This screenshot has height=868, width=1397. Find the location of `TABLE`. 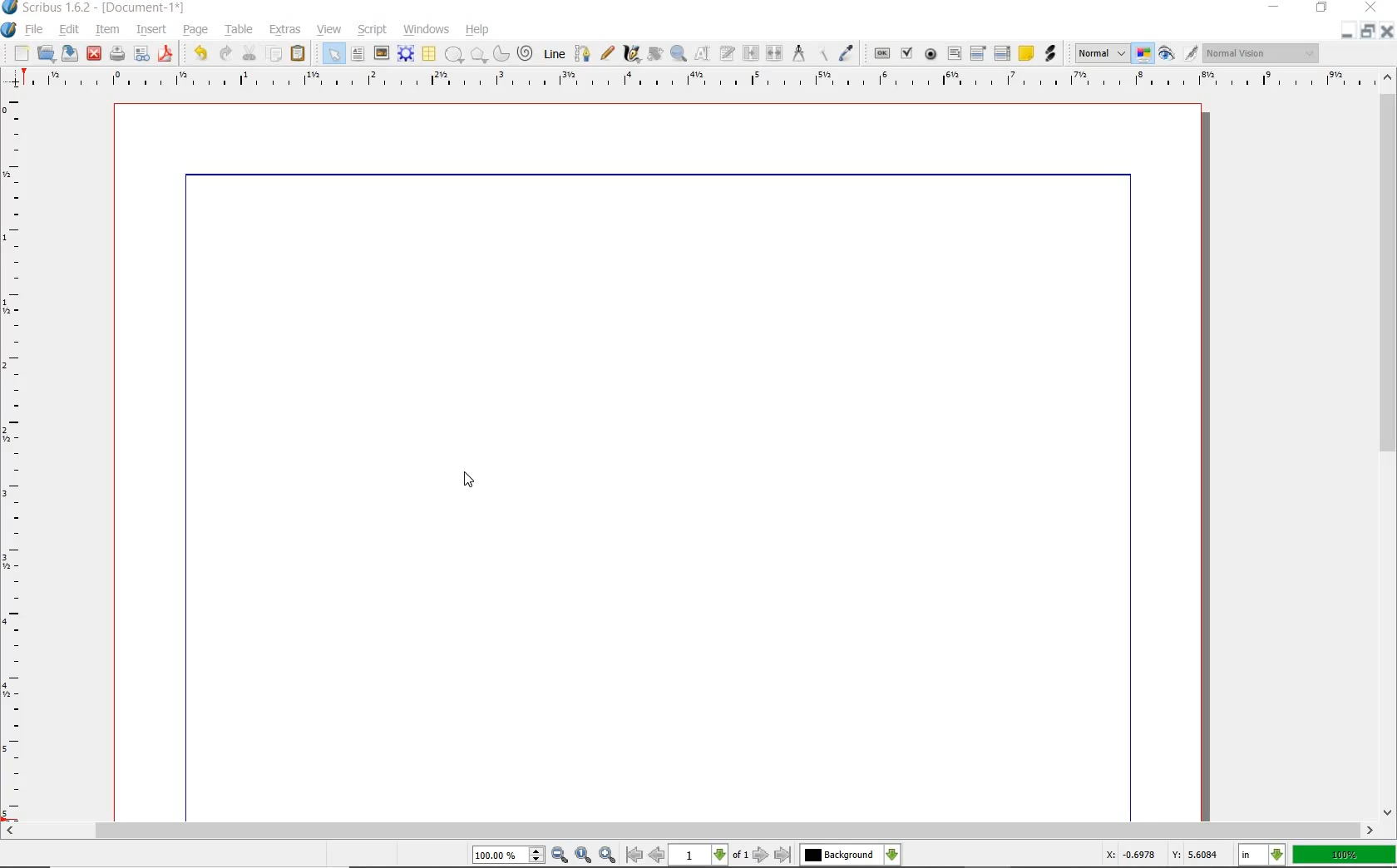

TABLE is located at coordinates (428, 54).